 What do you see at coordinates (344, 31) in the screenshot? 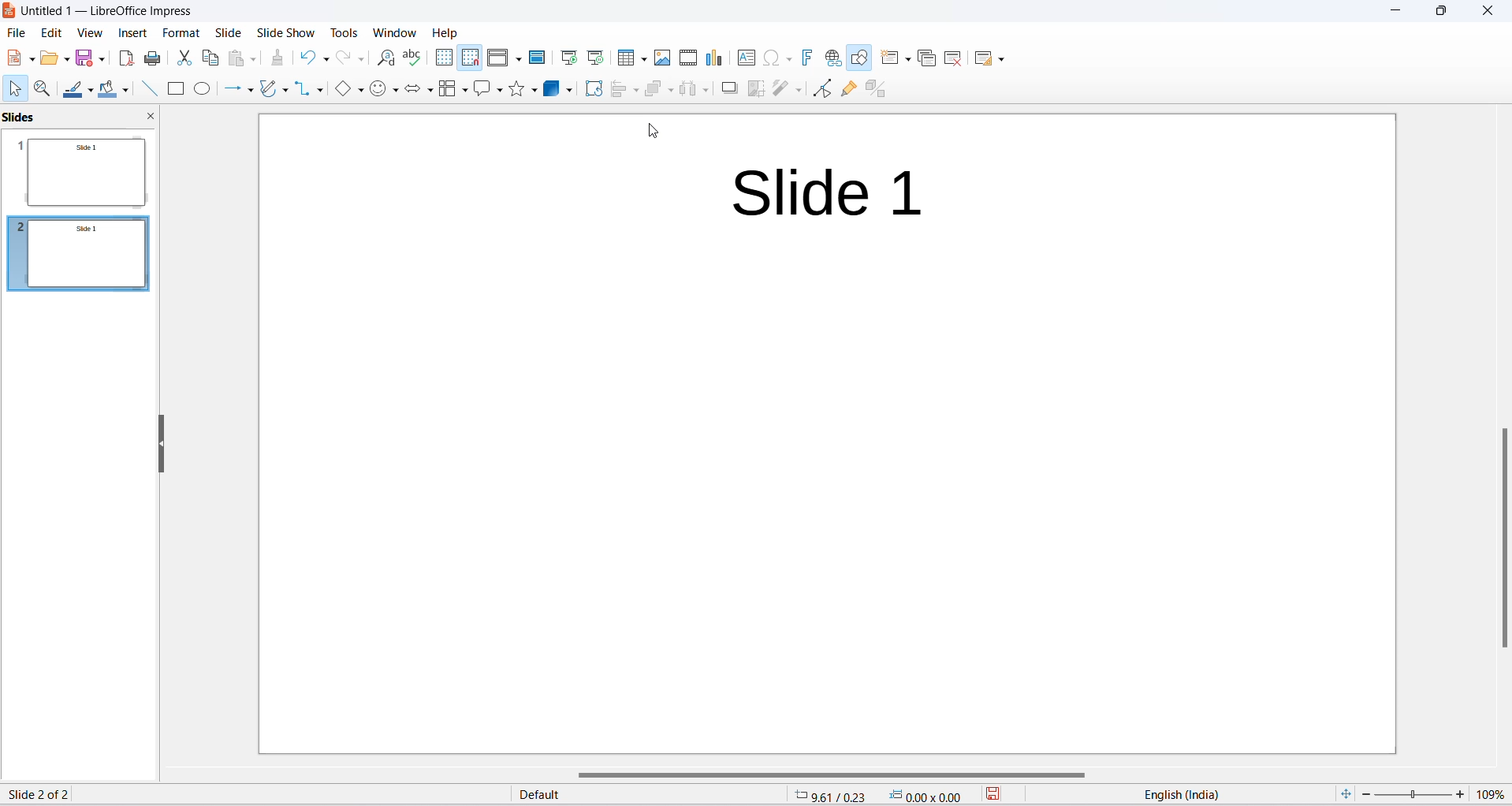
I see `tools` at bounding box center [344, 31].